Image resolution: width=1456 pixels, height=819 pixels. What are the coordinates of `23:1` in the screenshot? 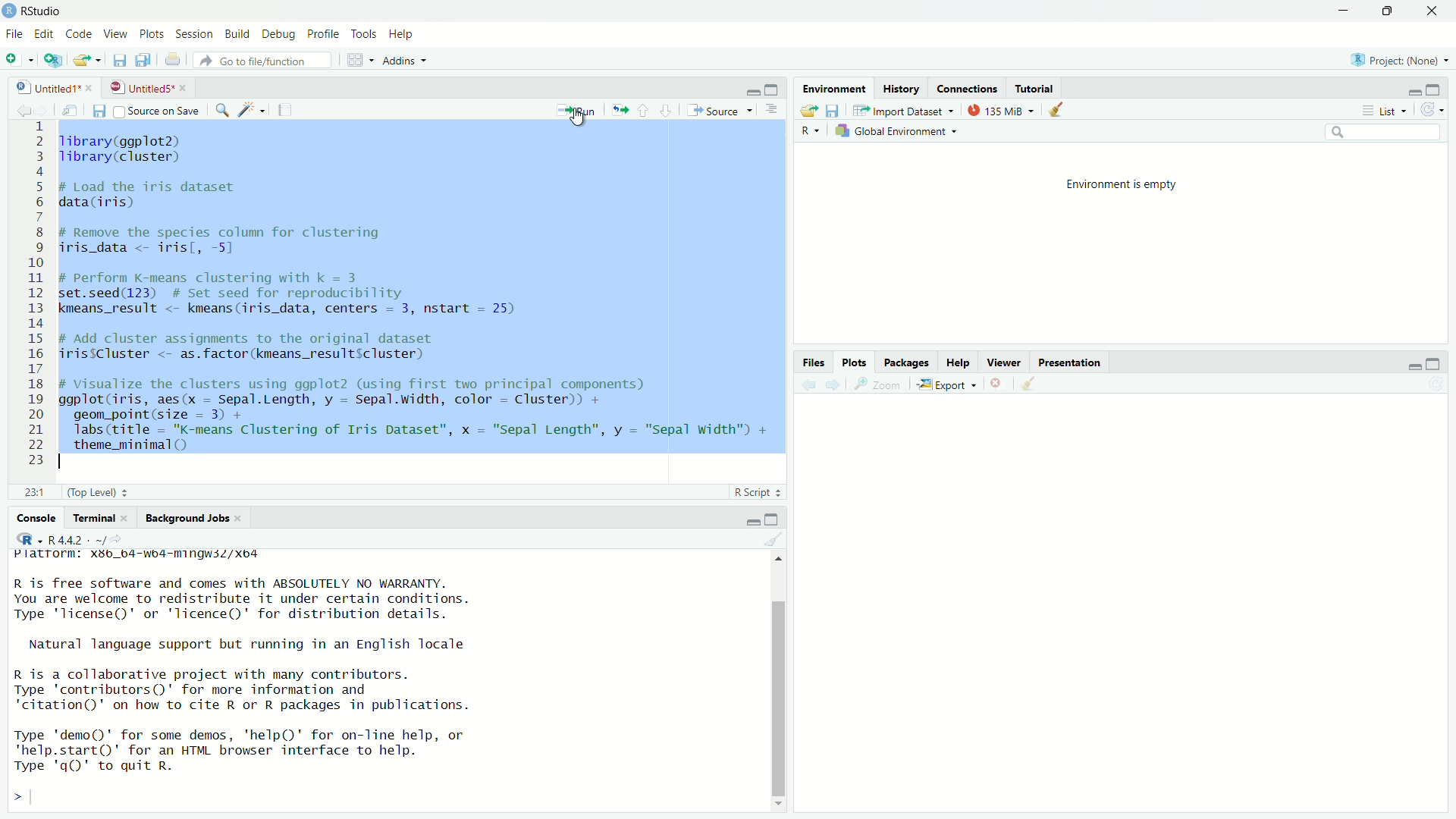 It's located at (27, 490).